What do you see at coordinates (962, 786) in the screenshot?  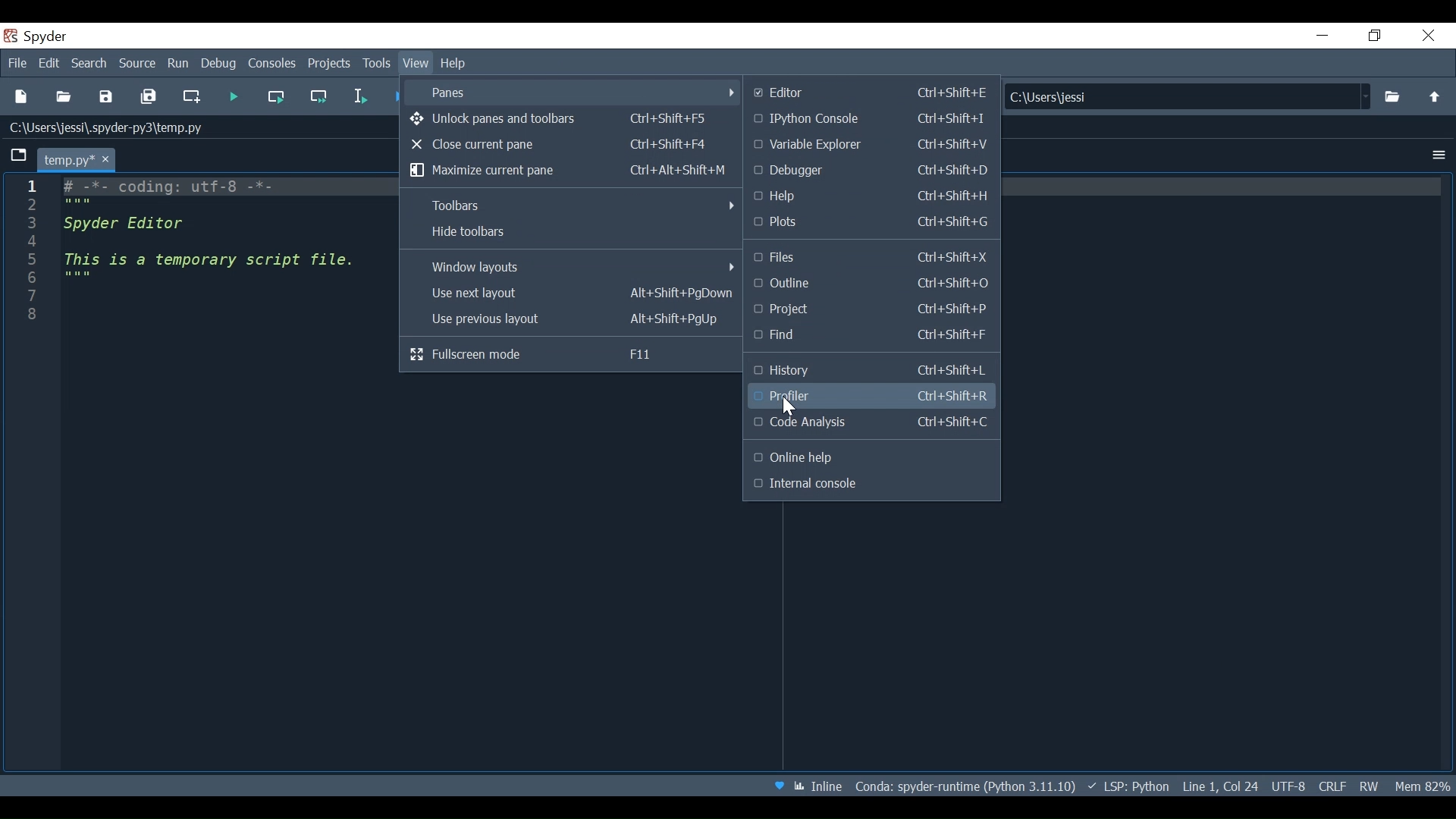 I see `File Path` at bounding box center [962, 786].